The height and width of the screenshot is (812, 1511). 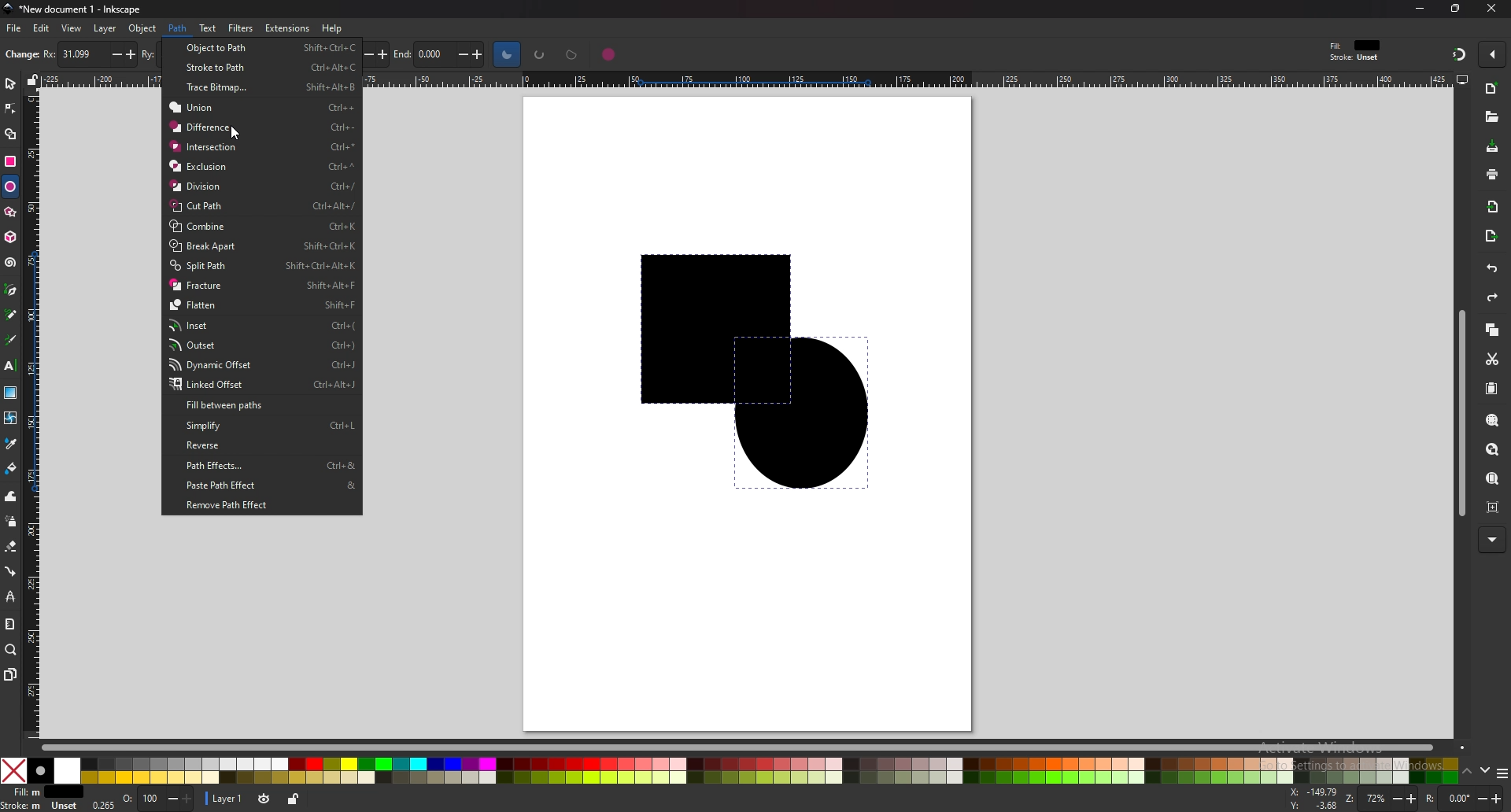 I want to click on Fill between paths, so click(x=227, y=405).